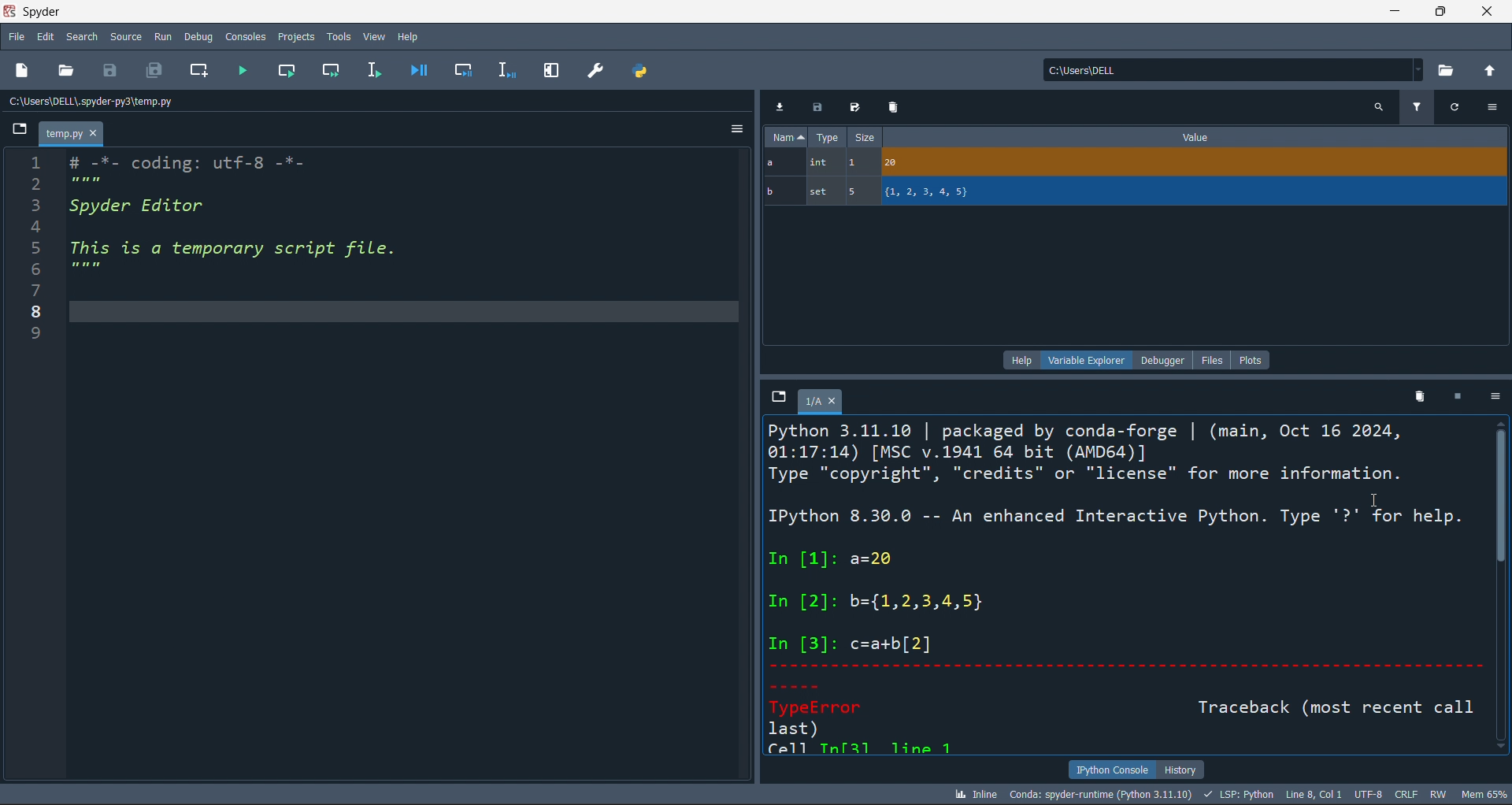 Image resolution: width=1512 pixels, height=805 pixels. I want to click on preferences, so click(595, 69).